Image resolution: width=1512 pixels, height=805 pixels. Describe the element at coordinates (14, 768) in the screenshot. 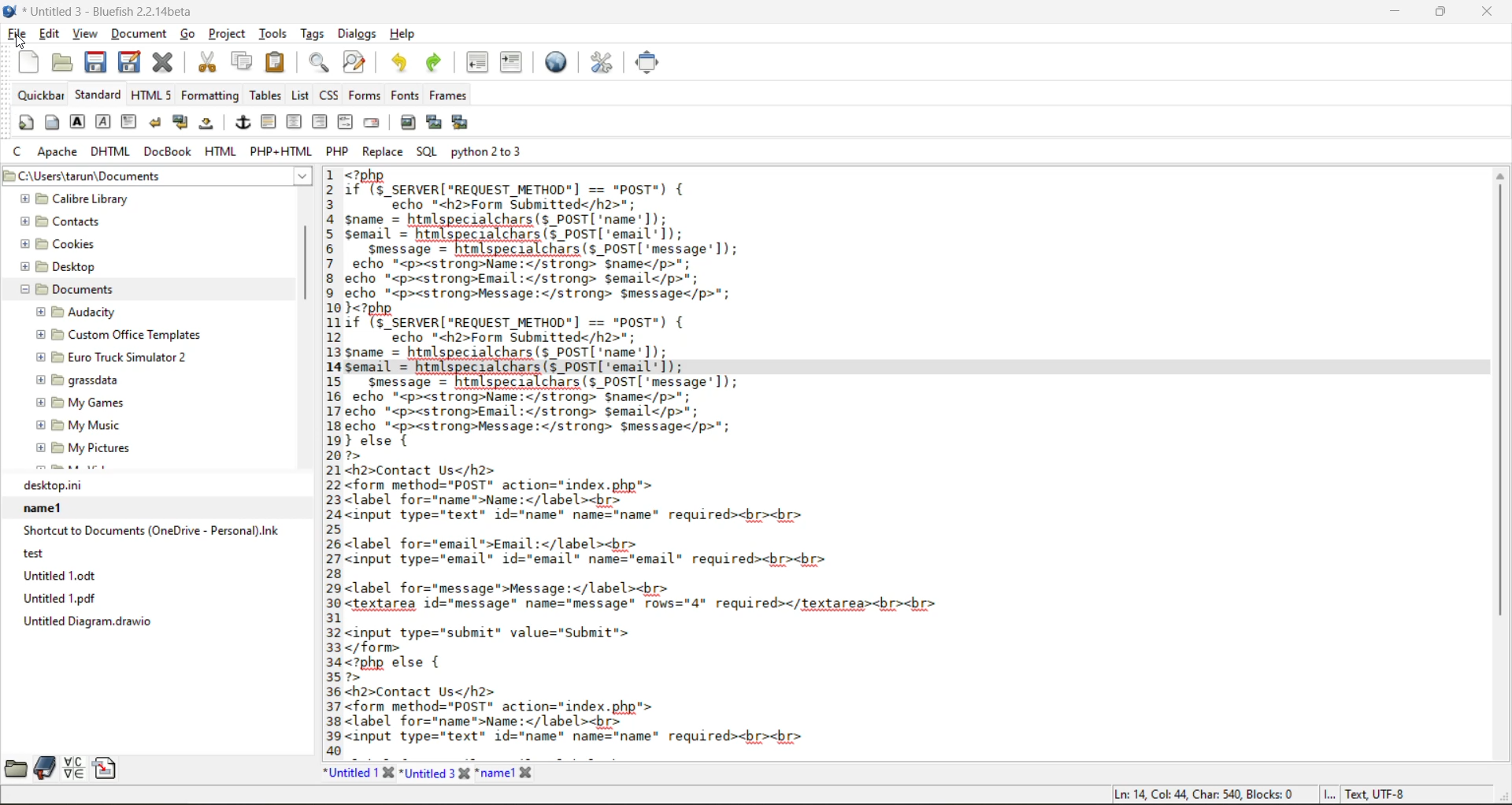

I see `file browser` at that location.